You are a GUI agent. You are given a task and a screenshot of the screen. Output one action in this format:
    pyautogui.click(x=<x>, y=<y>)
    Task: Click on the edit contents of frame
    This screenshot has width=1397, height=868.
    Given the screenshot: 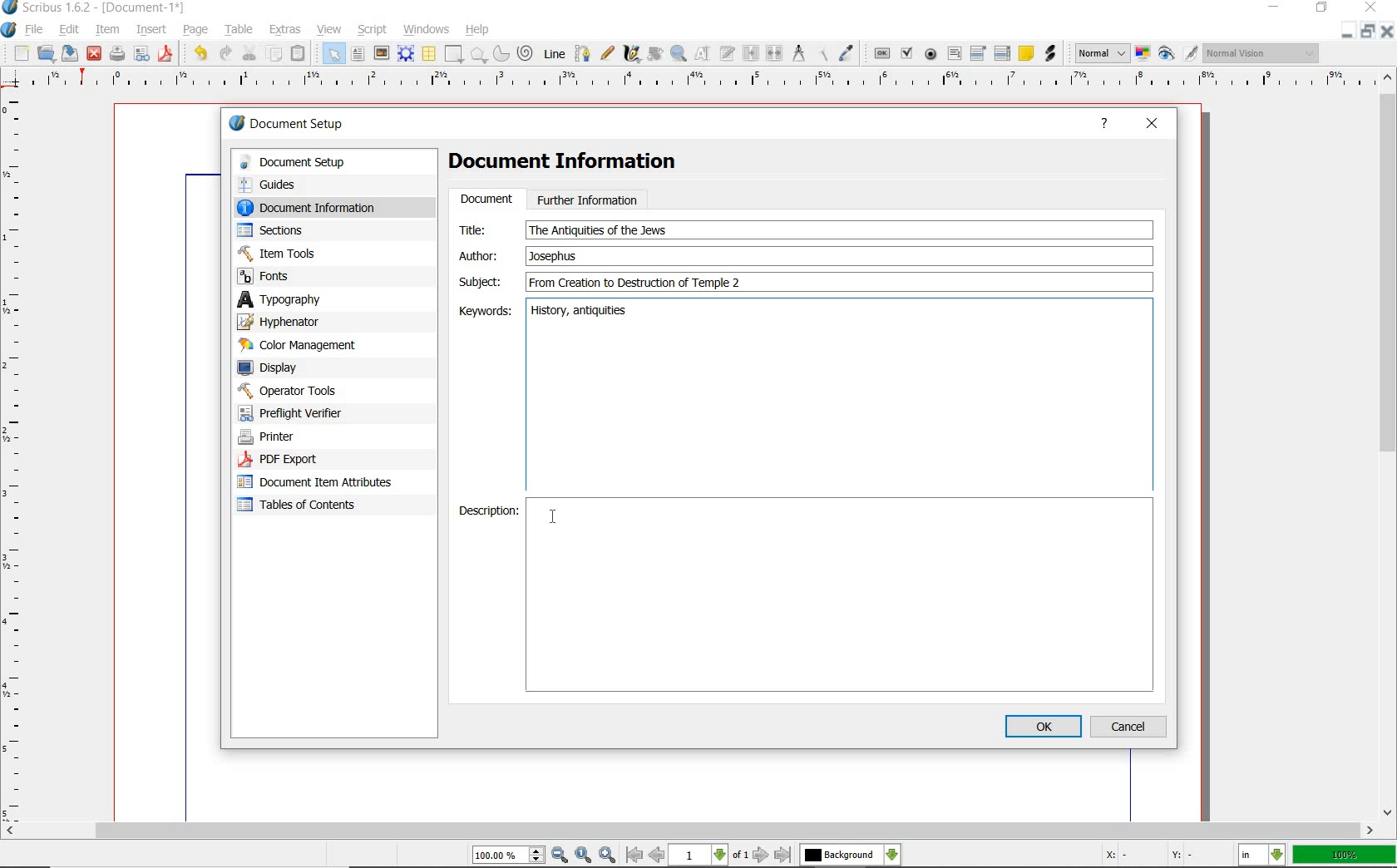 What is the action you would take?
    pyautogui.click(x=704, y=55)
    